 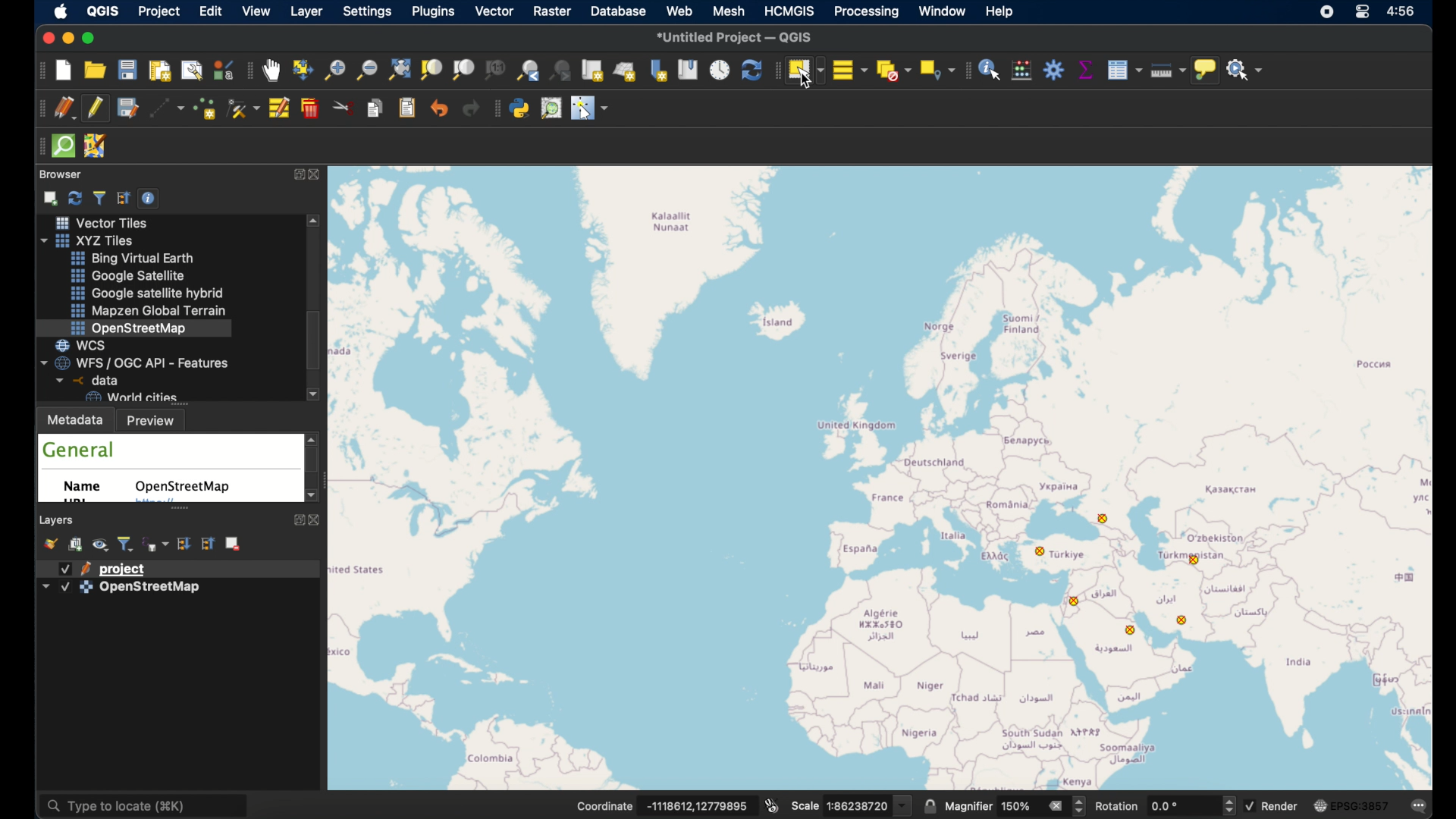 I want to click on zoom full, so click(x=398, y=69).